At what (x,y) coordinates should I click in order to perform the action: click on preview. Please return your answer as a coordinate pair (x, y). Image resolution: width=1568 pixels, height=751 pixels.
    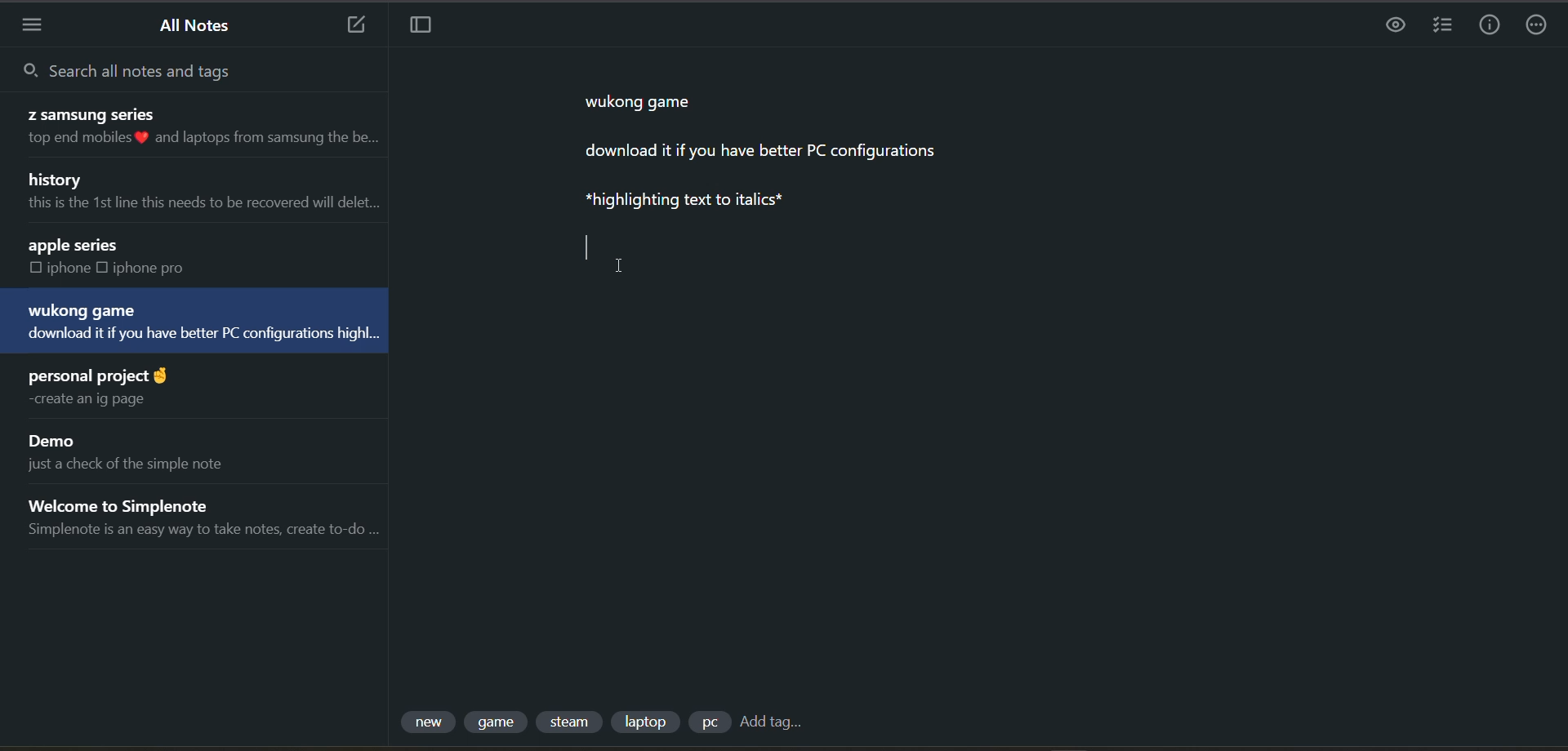
    Looking at the image, I should click on (1389, 27).